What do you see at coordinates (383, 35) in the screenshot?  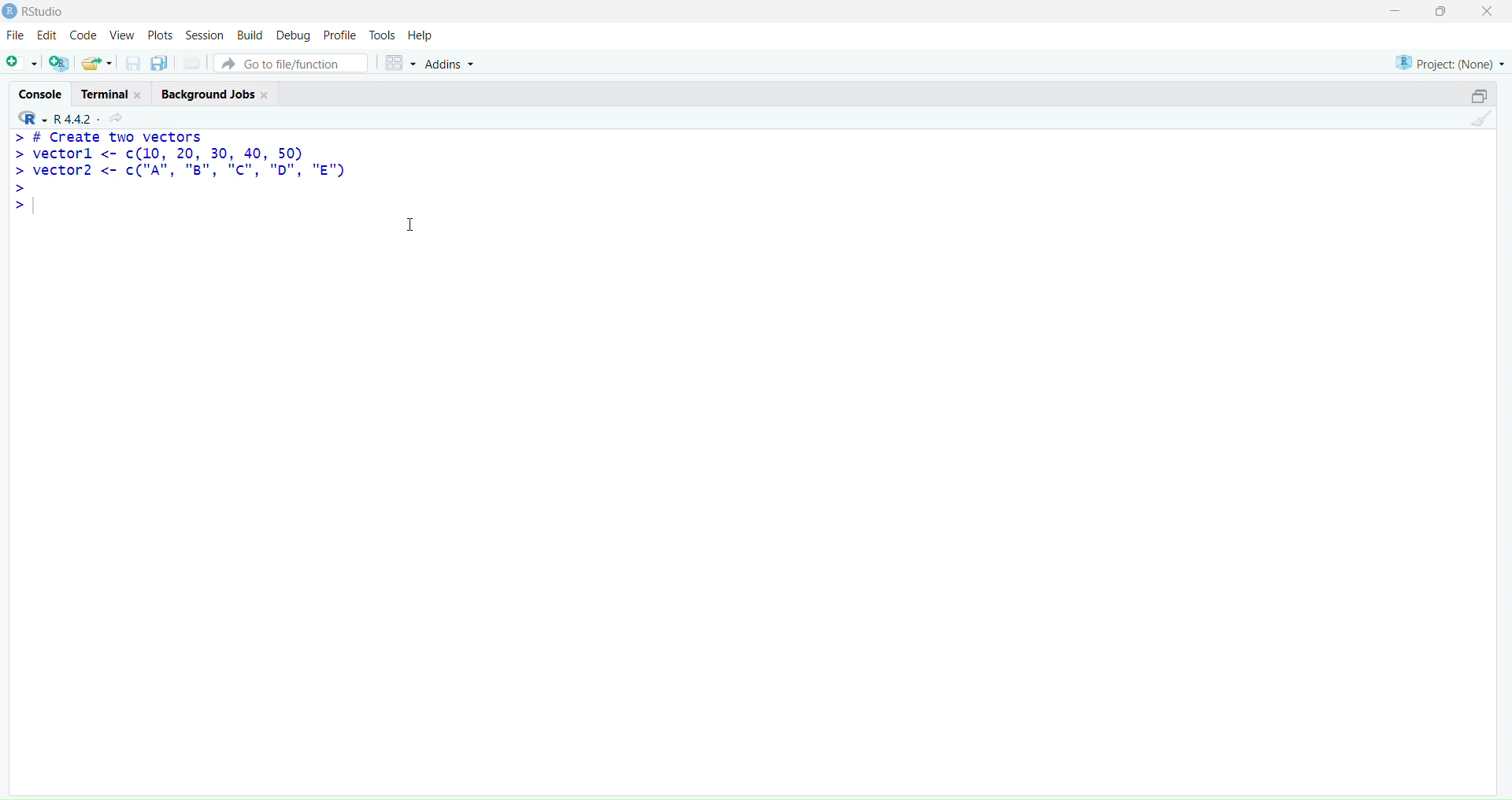 I see `Tools` at bounding box center [383, 35].